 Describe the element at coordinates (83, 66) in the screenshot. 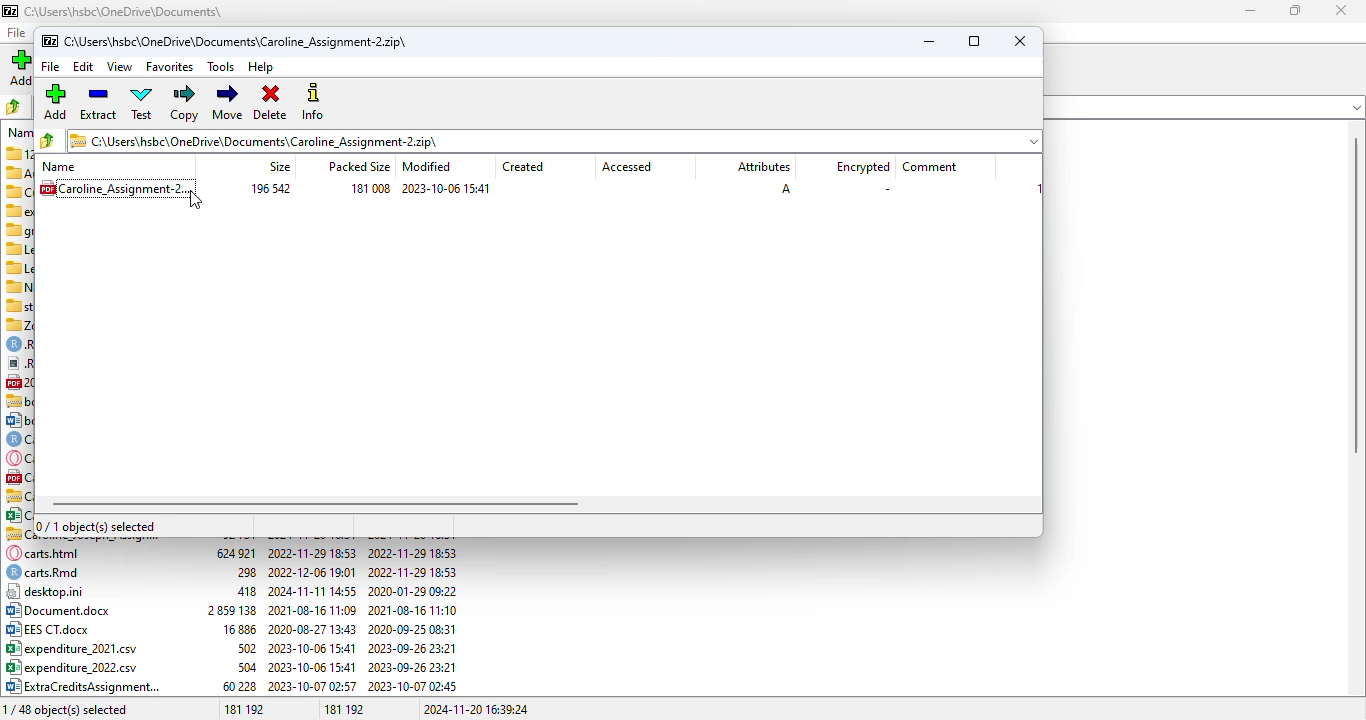

I see `edit` at that location.